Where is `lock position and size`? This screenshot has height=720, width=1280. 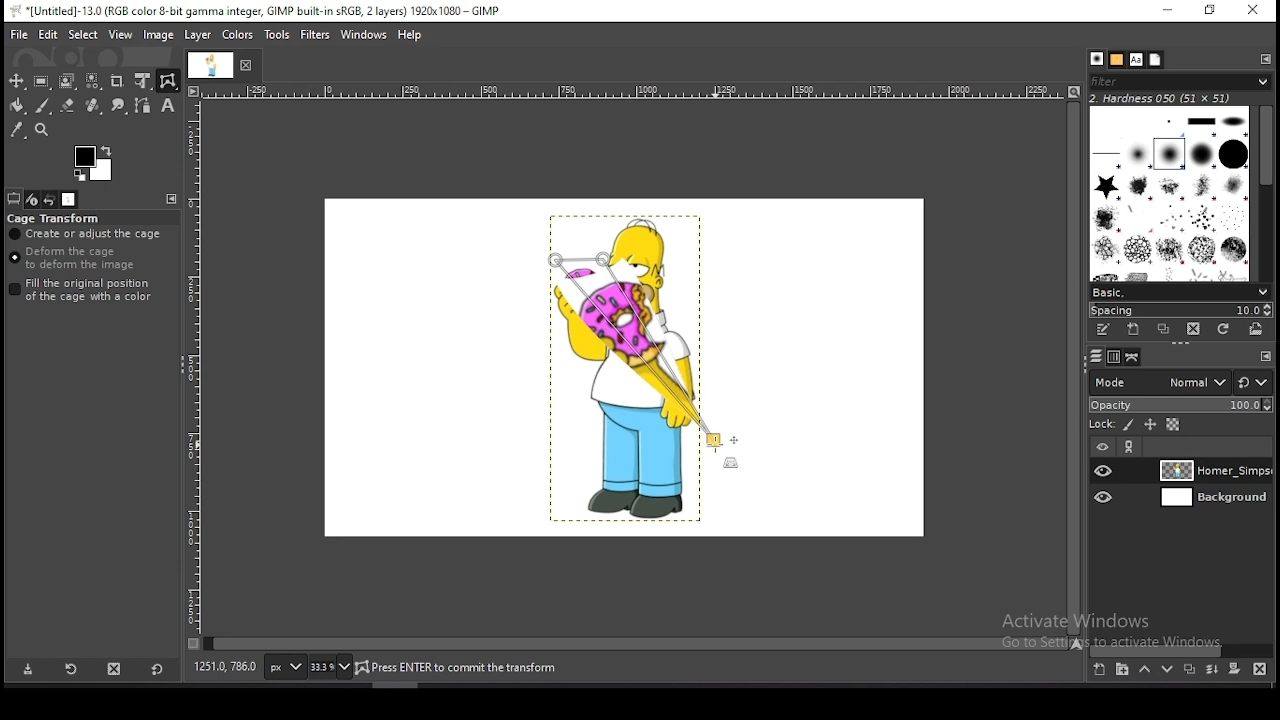 lock position and size is located at coordinates (1149, 425).